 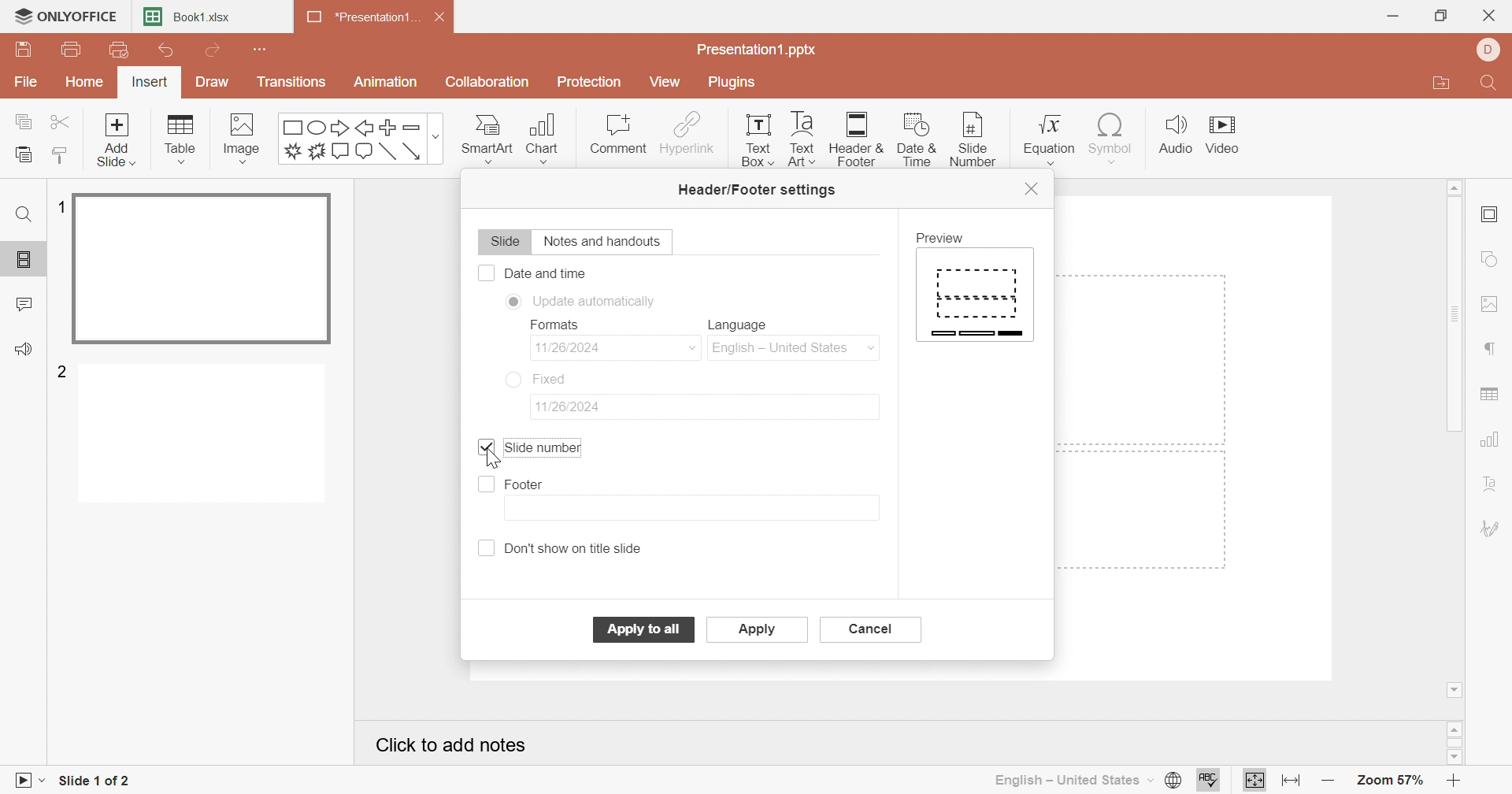 What do you see at coordinates (261, 47) in the screenshot?
I see `Customize Quick AcessToolbar` at bounding box center [261, 47].